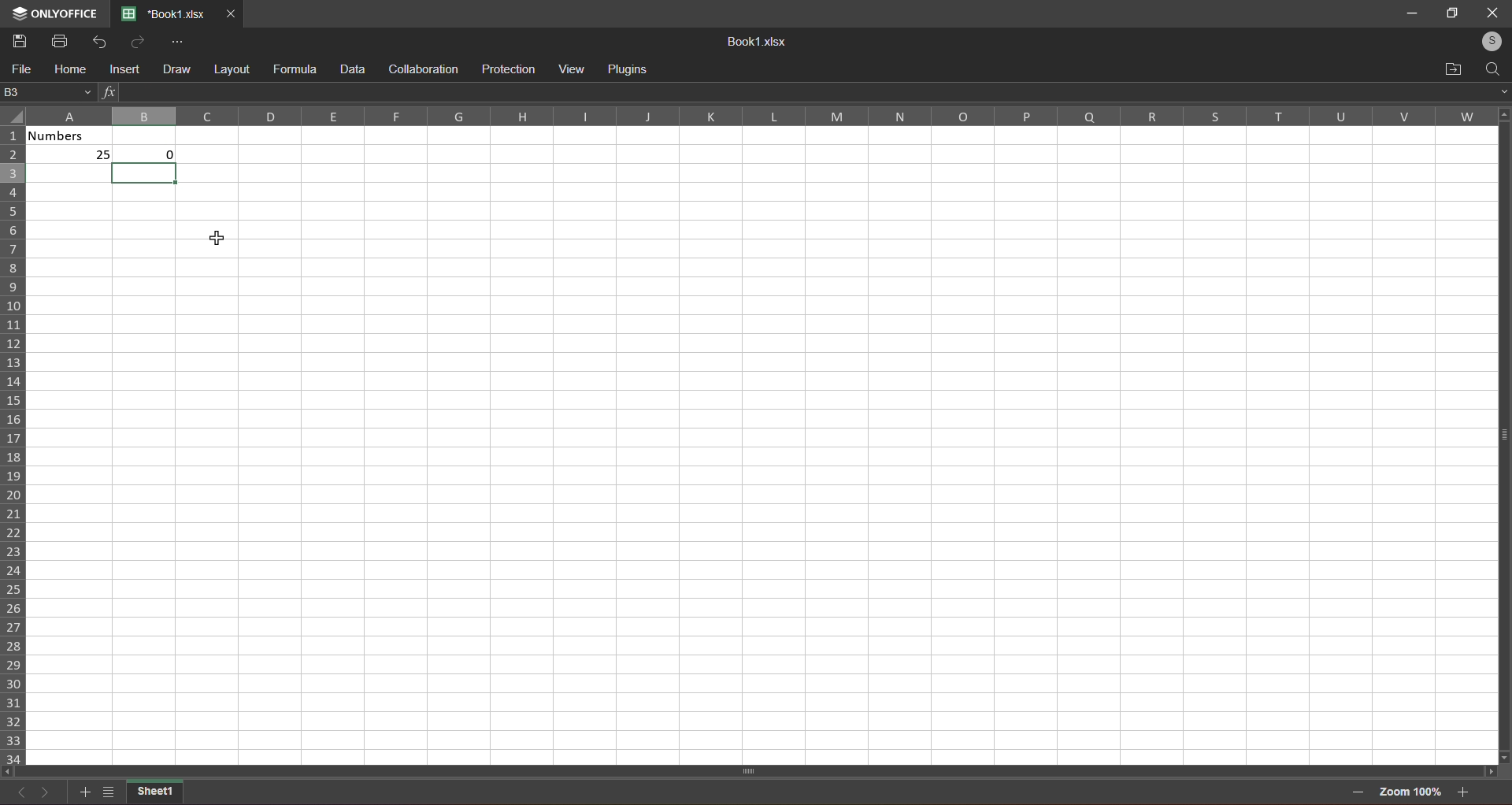 The width and height of the screenshot is (1512, 805). What do you see at coordinates (506, 69) in the screenshot?
I see `protection` at bounding box center [506, 69].